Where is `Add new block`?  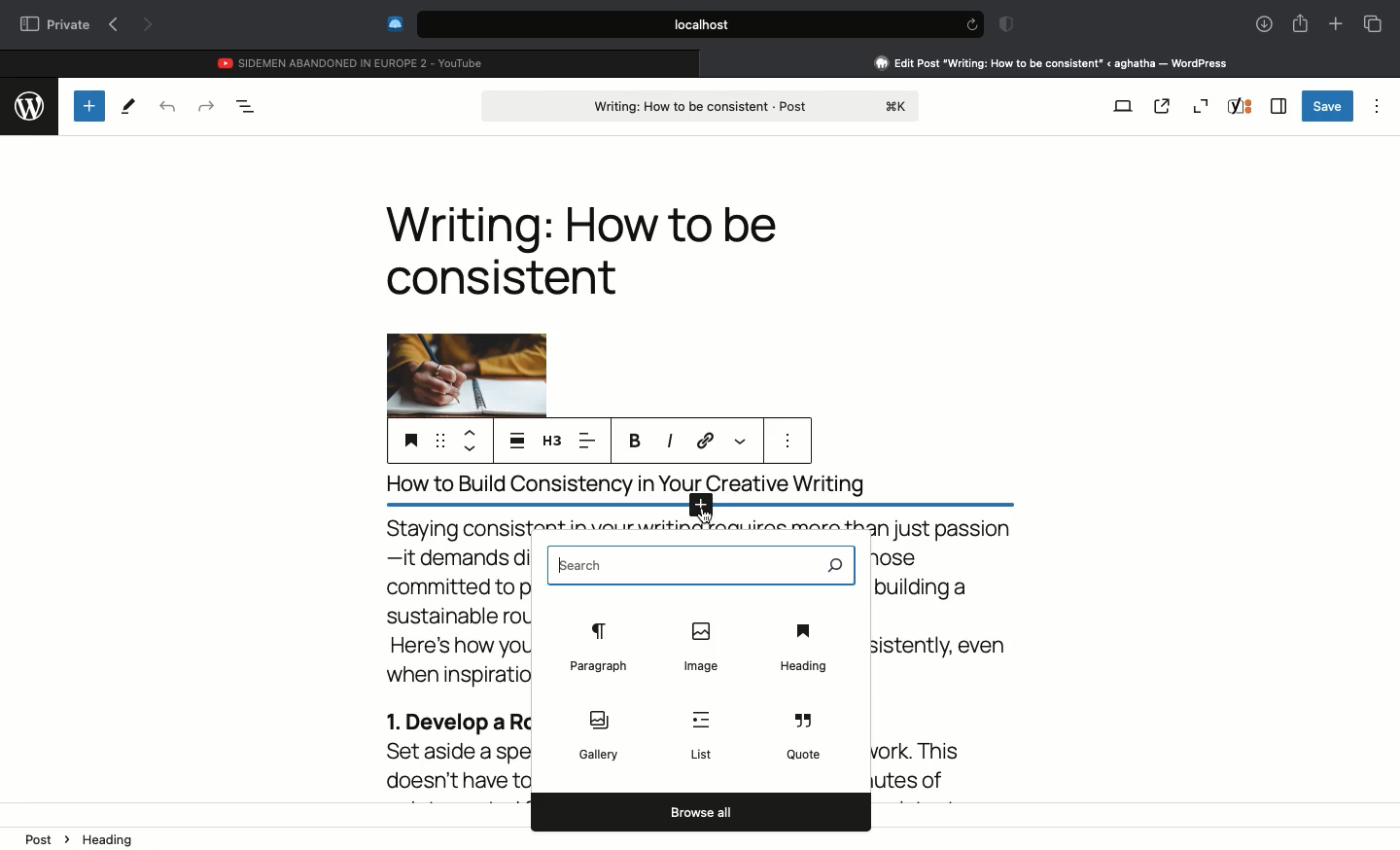 Add new block is located at coordinates (694, 507).